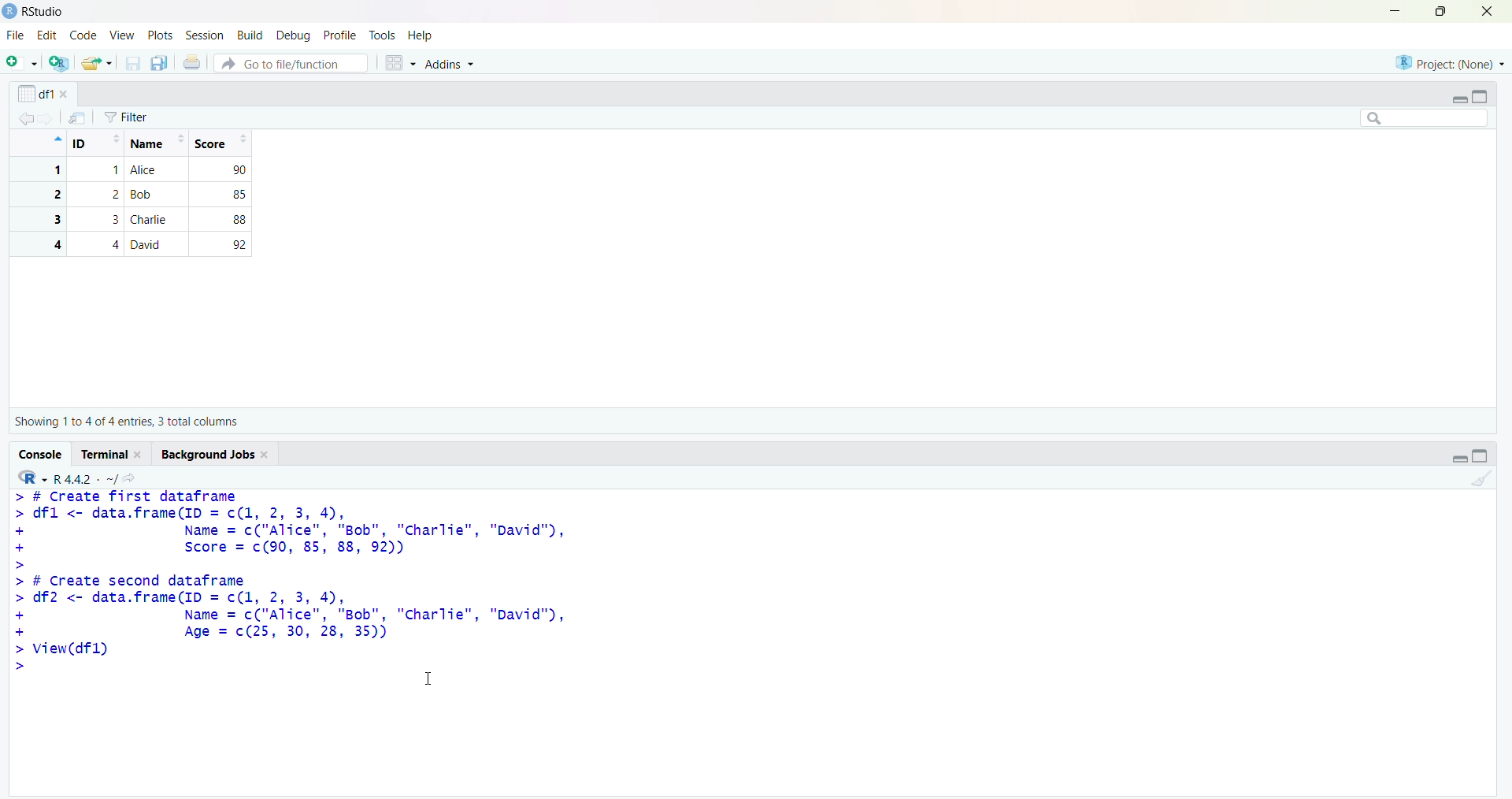  Describe the element at coordinates (135, 195) in the screenshot. I see `2 2 Bob 85` at that location.